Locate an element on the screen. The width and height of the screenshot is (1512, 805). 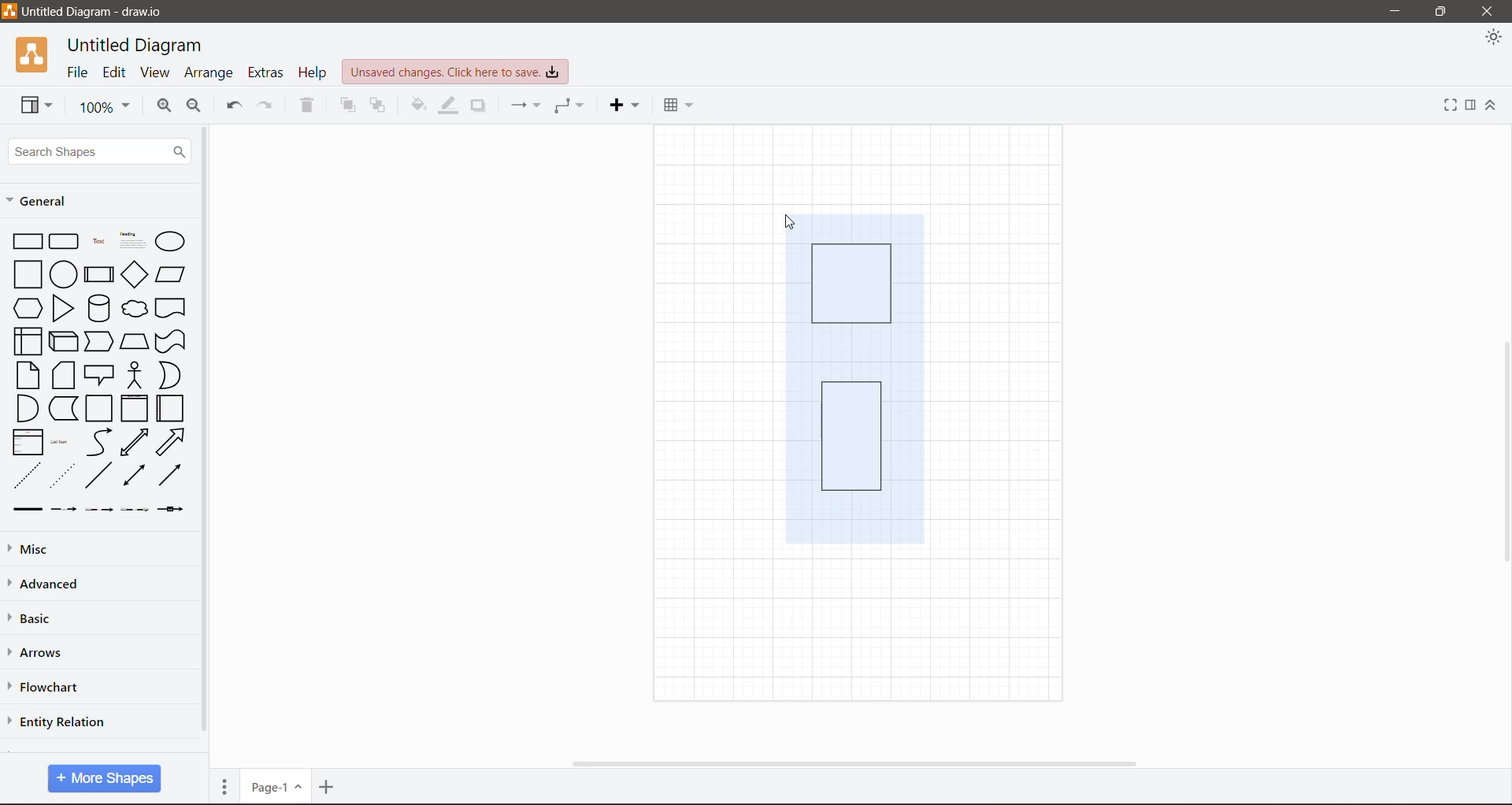
Shapes available in General is located at coordinates (96, 372).